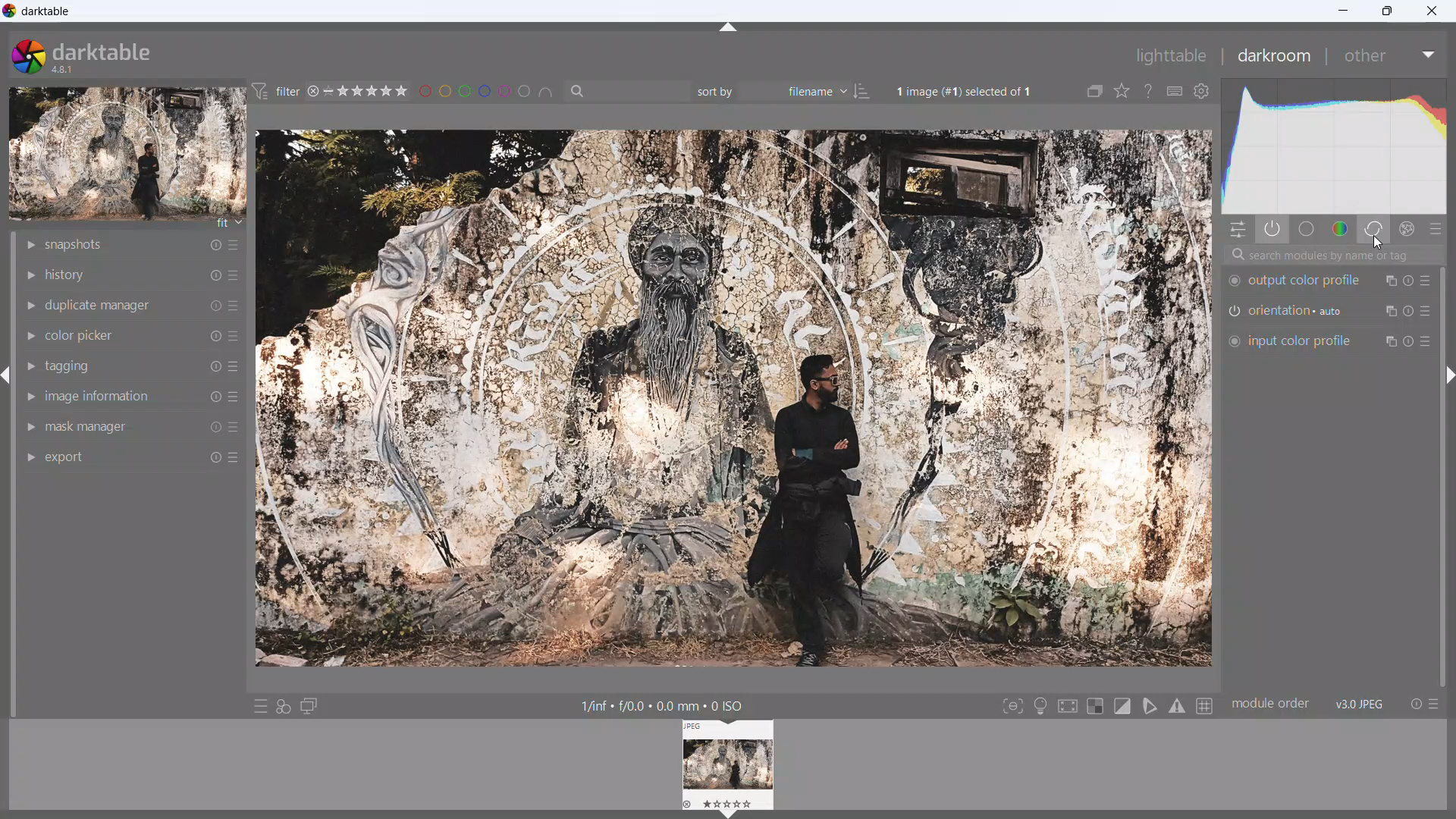 This screenshot has width=1456, height=819. Describe the element at coordinates (86, 427) in the screenshot. I see `mask manager` at that location.